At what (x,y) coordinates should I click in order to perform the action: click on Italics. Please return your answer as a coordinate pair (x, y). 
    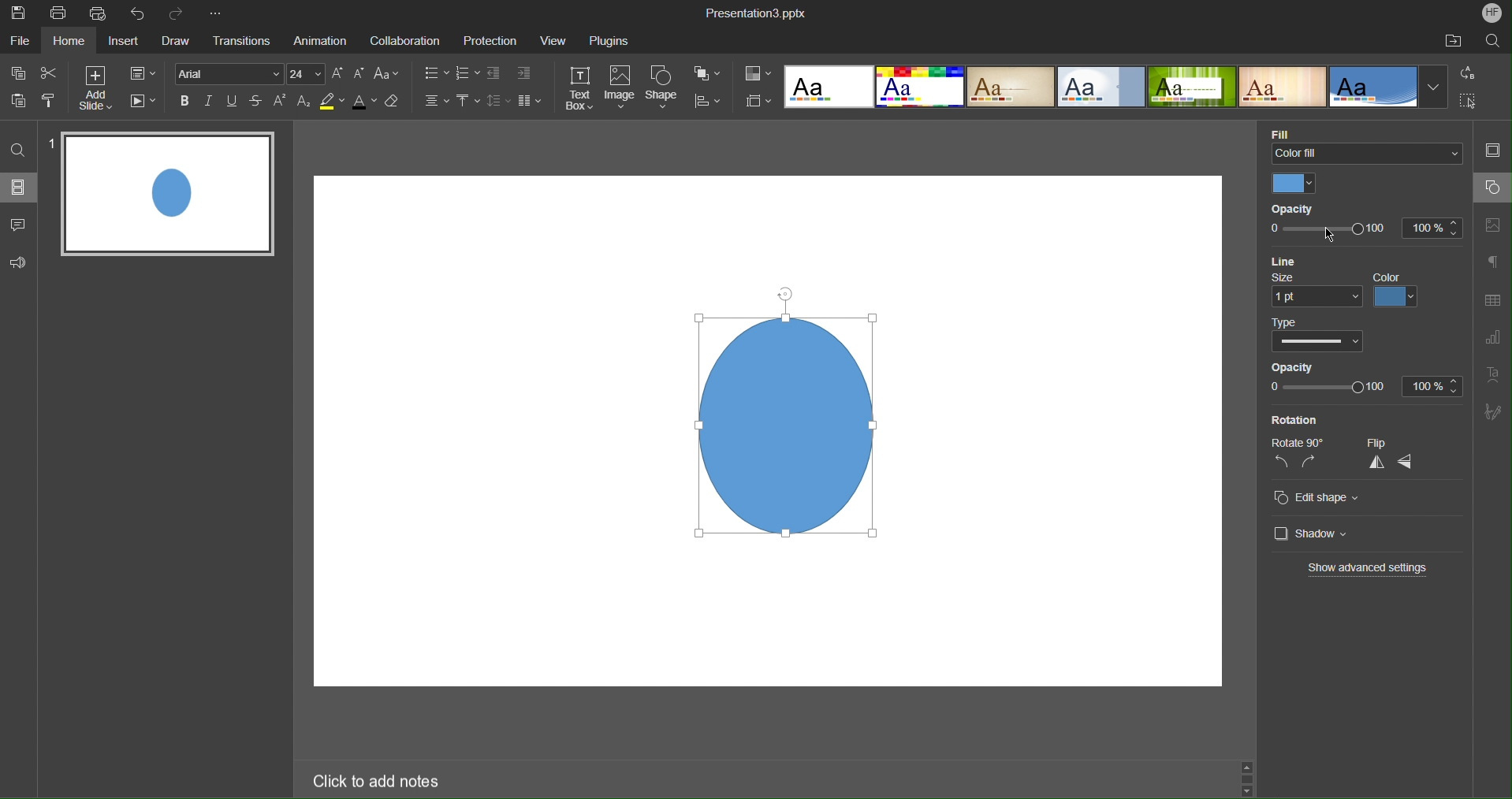
    Looking at the image, I should click on (210, 103).